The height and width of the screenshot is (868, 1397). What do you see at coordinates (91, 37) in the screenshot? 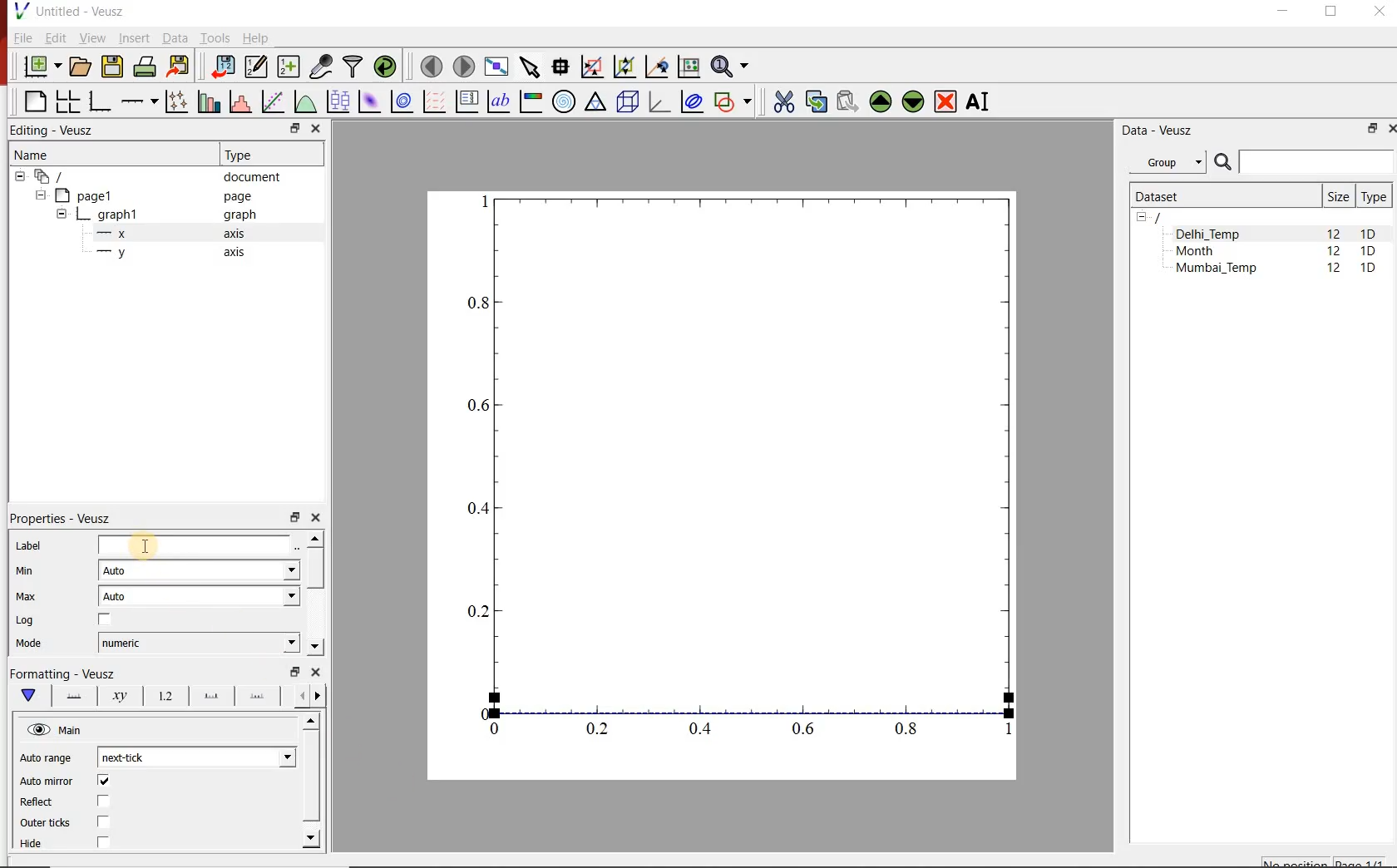
I see `View` at bounding box center [91, 37].